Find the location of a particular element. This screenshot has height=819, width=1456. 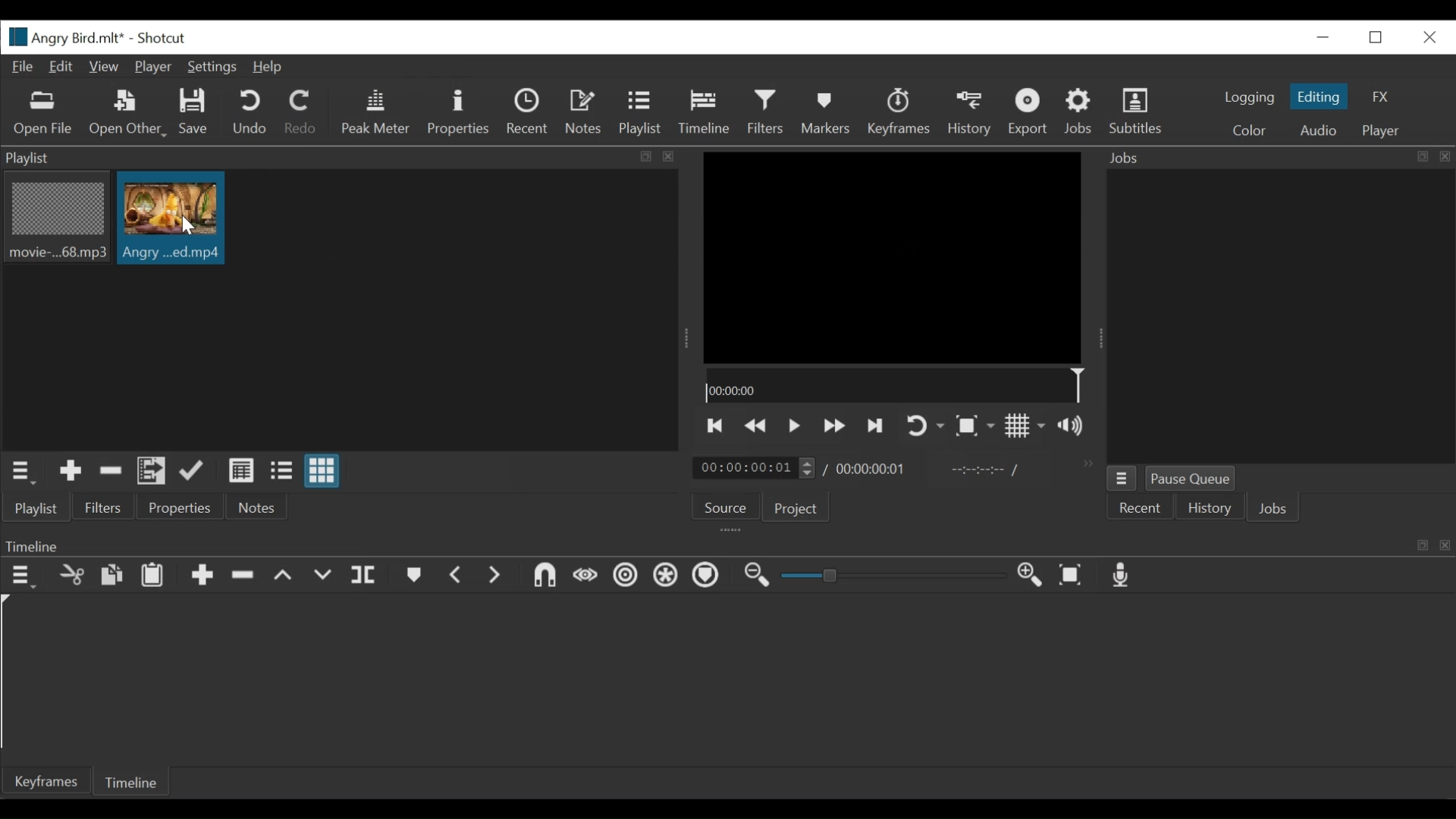

Notes is located at coordinates (253, 507).